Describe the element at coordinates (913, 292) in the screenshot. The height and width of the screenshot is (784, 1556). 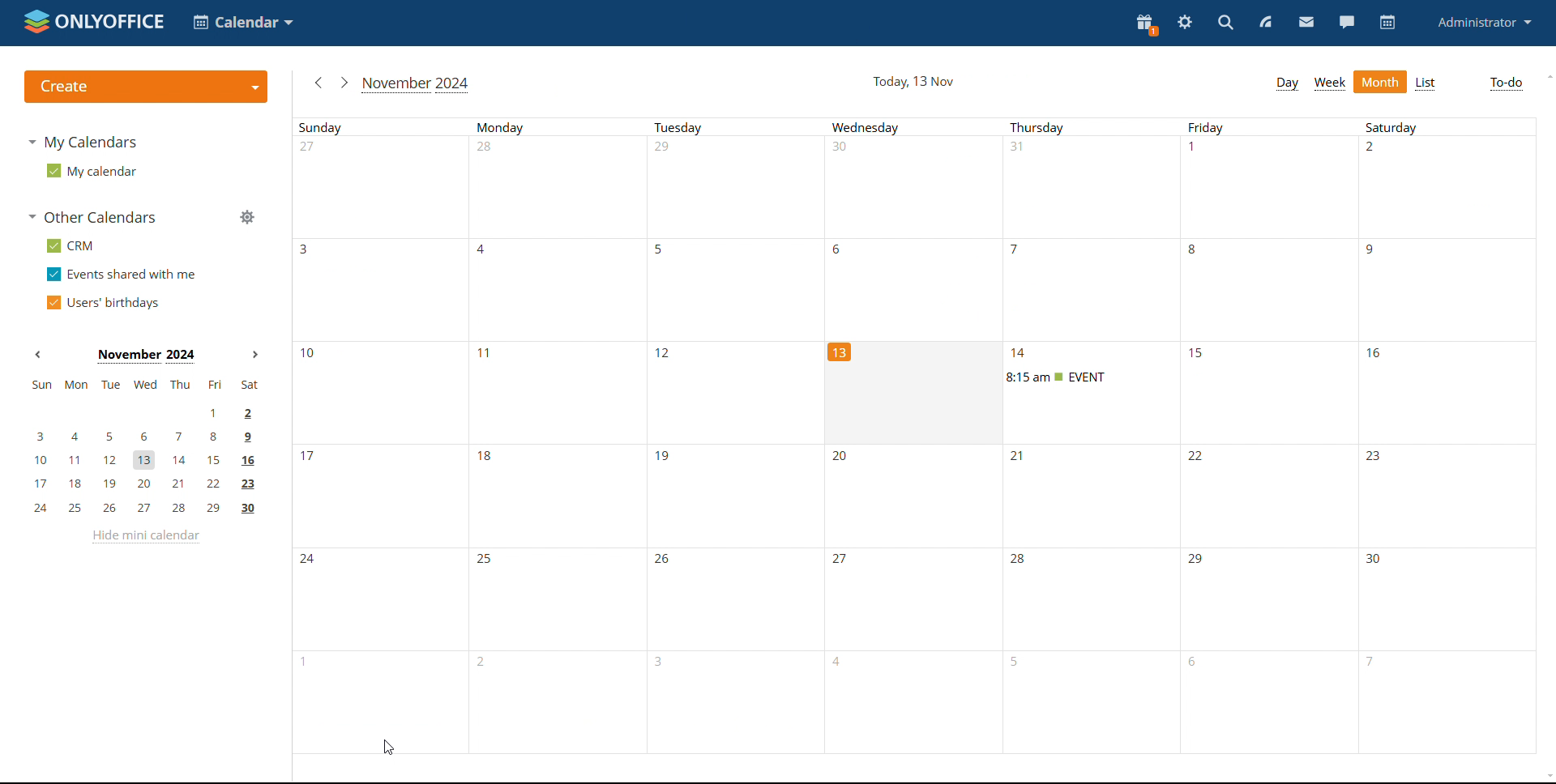
I see `unallocated time slots` at that location.